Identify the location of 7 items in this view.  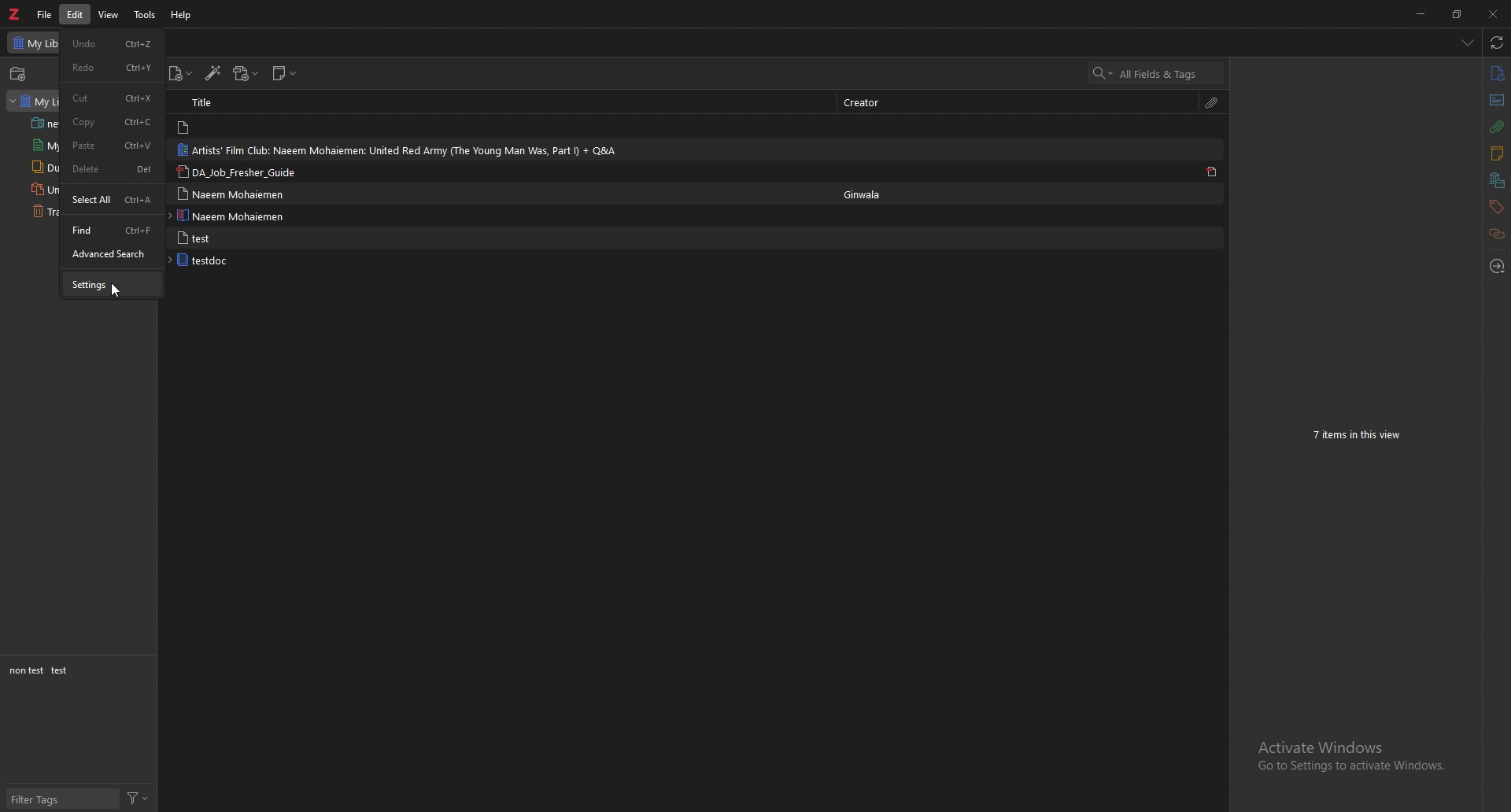
(1363, 435).